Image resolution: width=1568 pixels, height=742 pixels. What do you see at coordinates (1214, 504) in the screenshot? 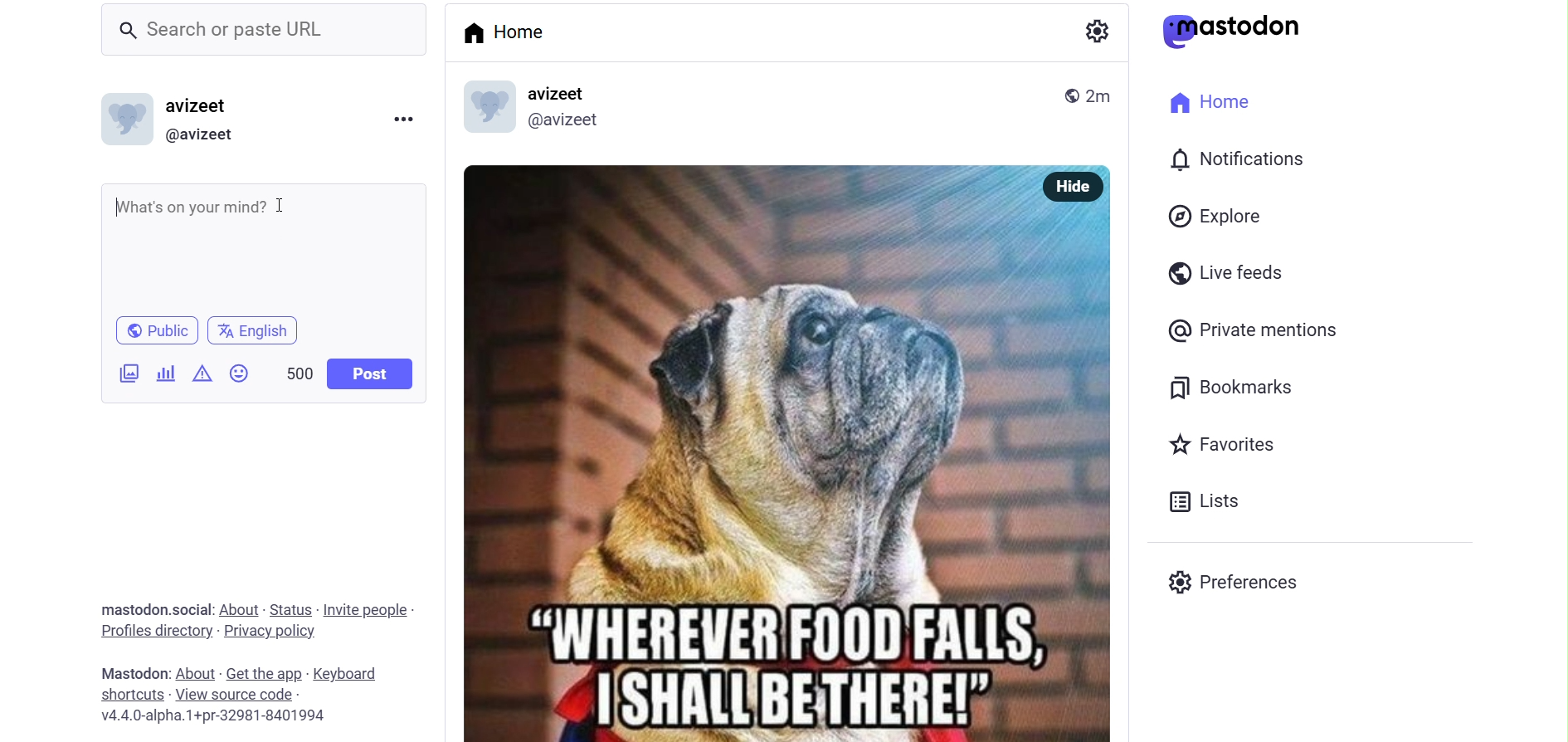
I see `list` at bounding box center [1214, 504].